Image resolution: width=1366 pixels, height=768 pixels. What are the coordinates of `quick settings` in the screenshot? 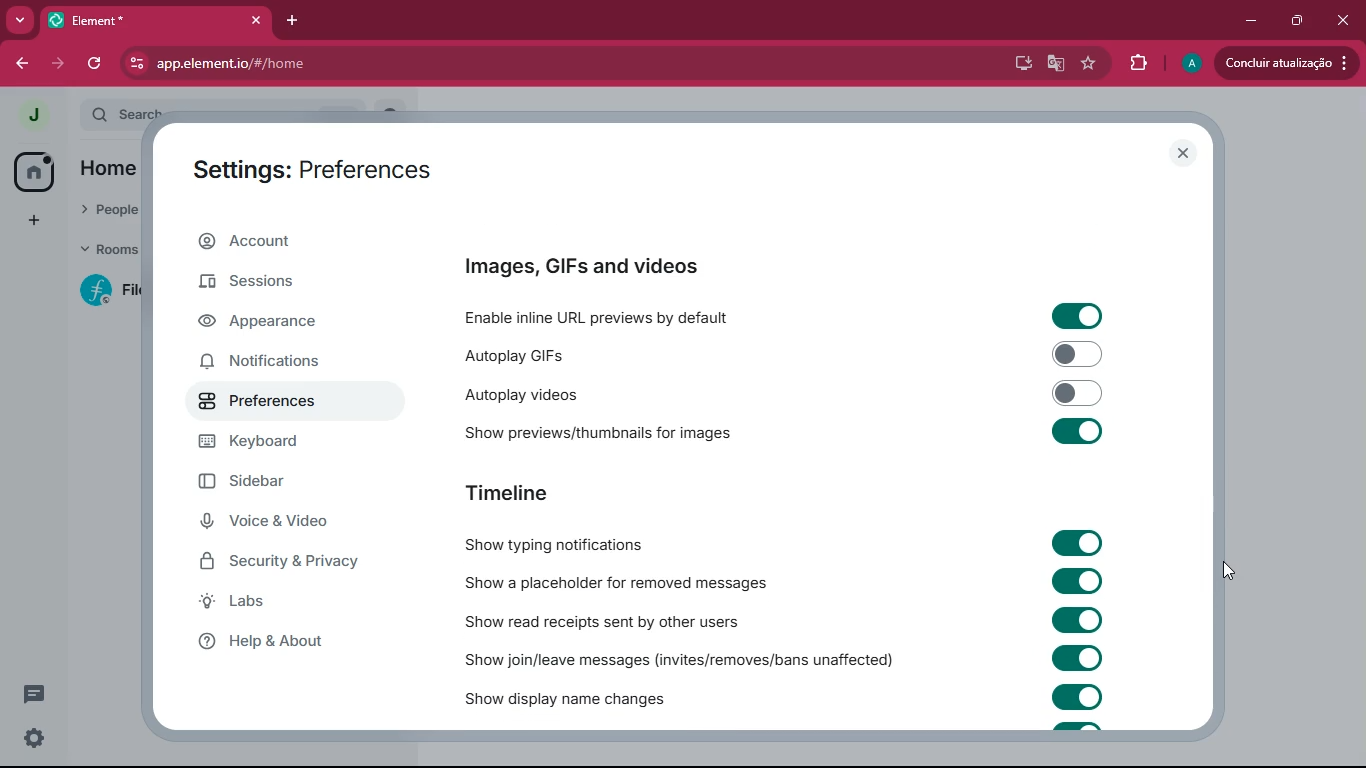 It's located at (34, 738).